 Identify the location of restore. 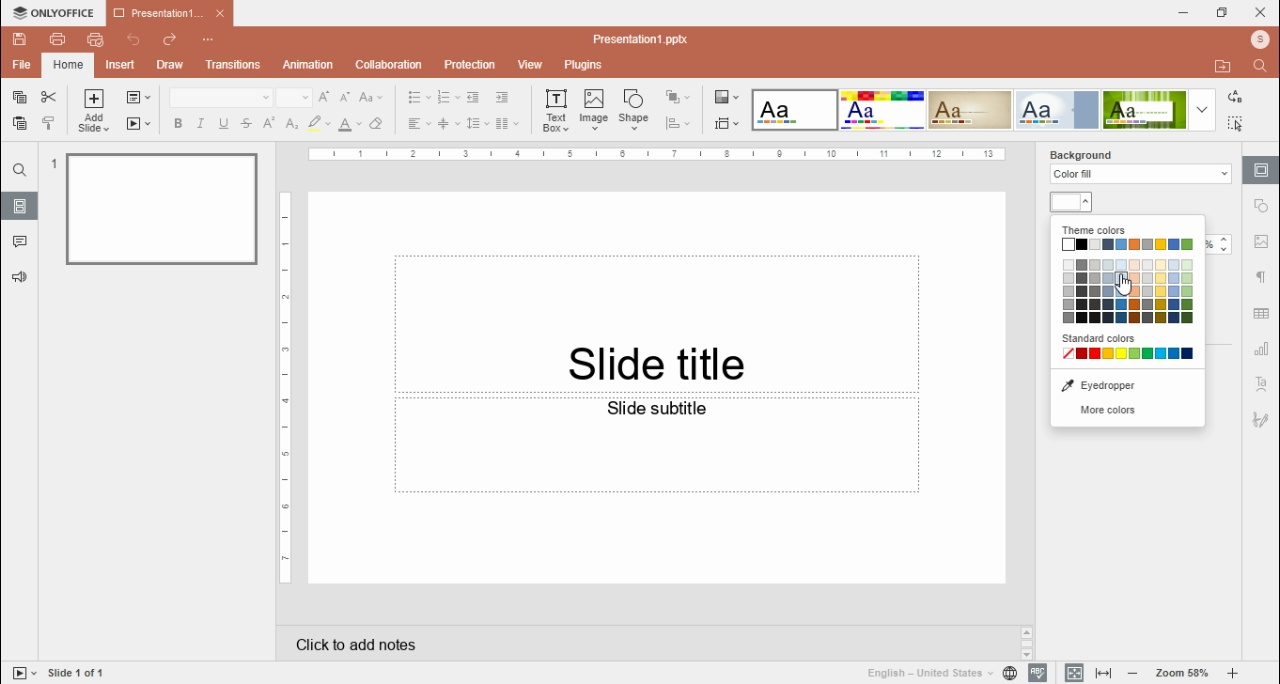
(1222, 12).